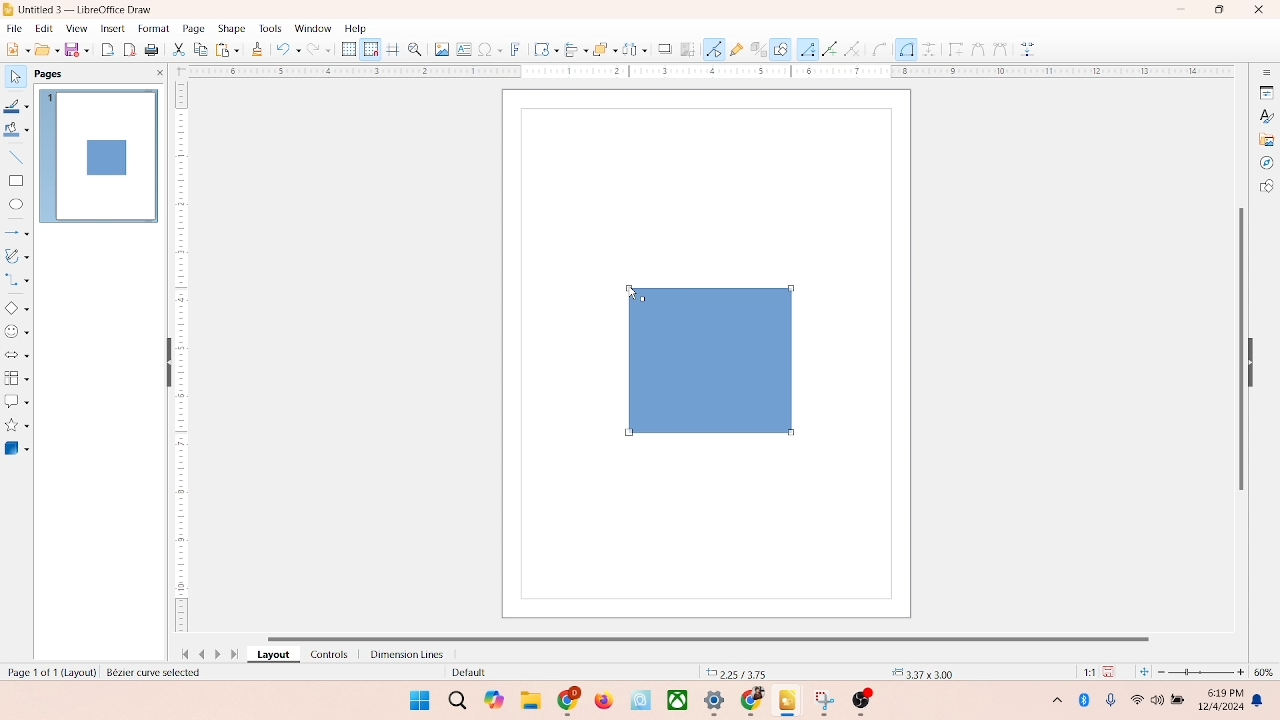 This screenshot has width=1280, height=720. What do you see at coordinates (16, 378) in the screenshot?
I see `flowchart` at bounding box center [16, 378].